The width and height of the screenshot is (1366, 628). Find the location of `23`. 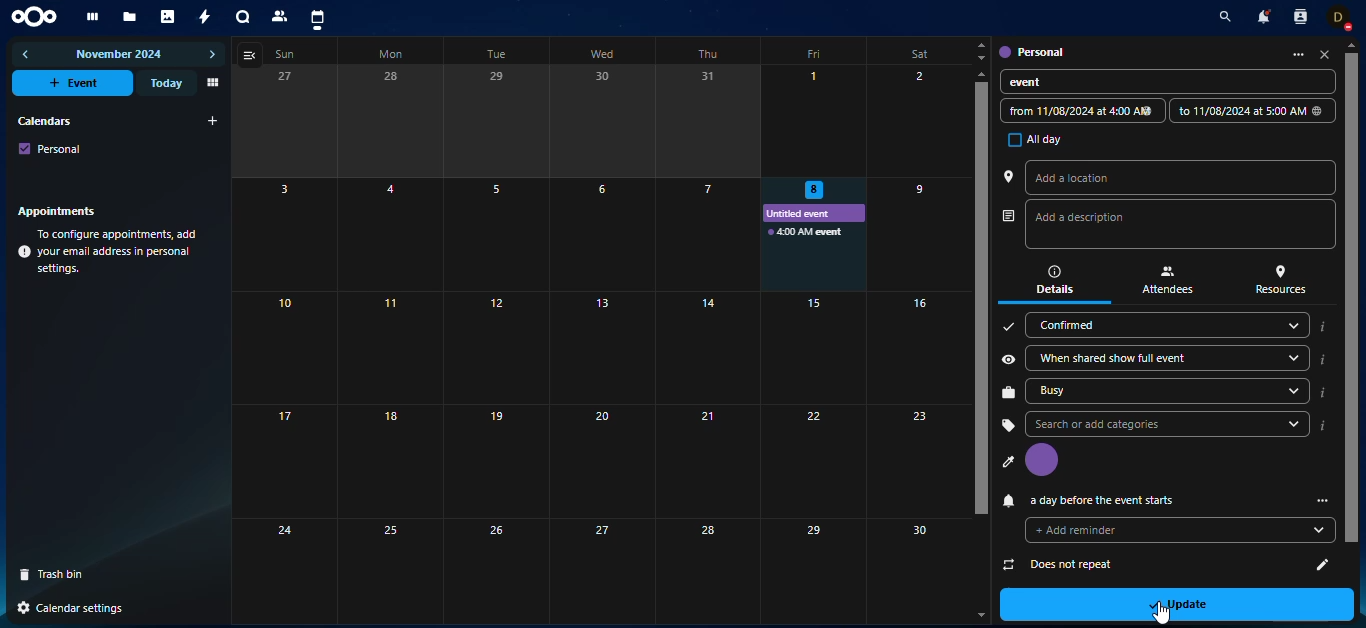

23 is located at coordinates (918, 460).